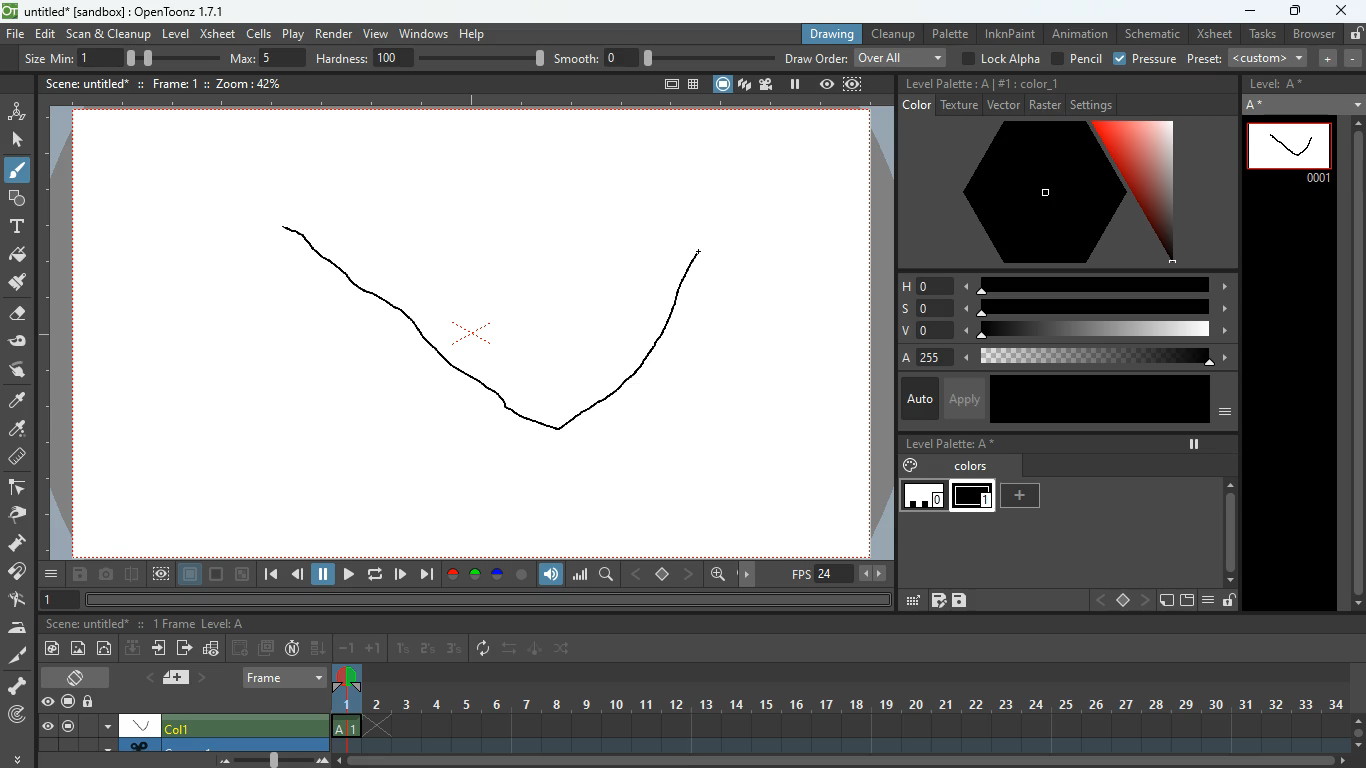 The width and height of the screenshot is (1366, 768). Describe the element at coordinates (15, 515) in the screenshot. I see `pick` at that location.